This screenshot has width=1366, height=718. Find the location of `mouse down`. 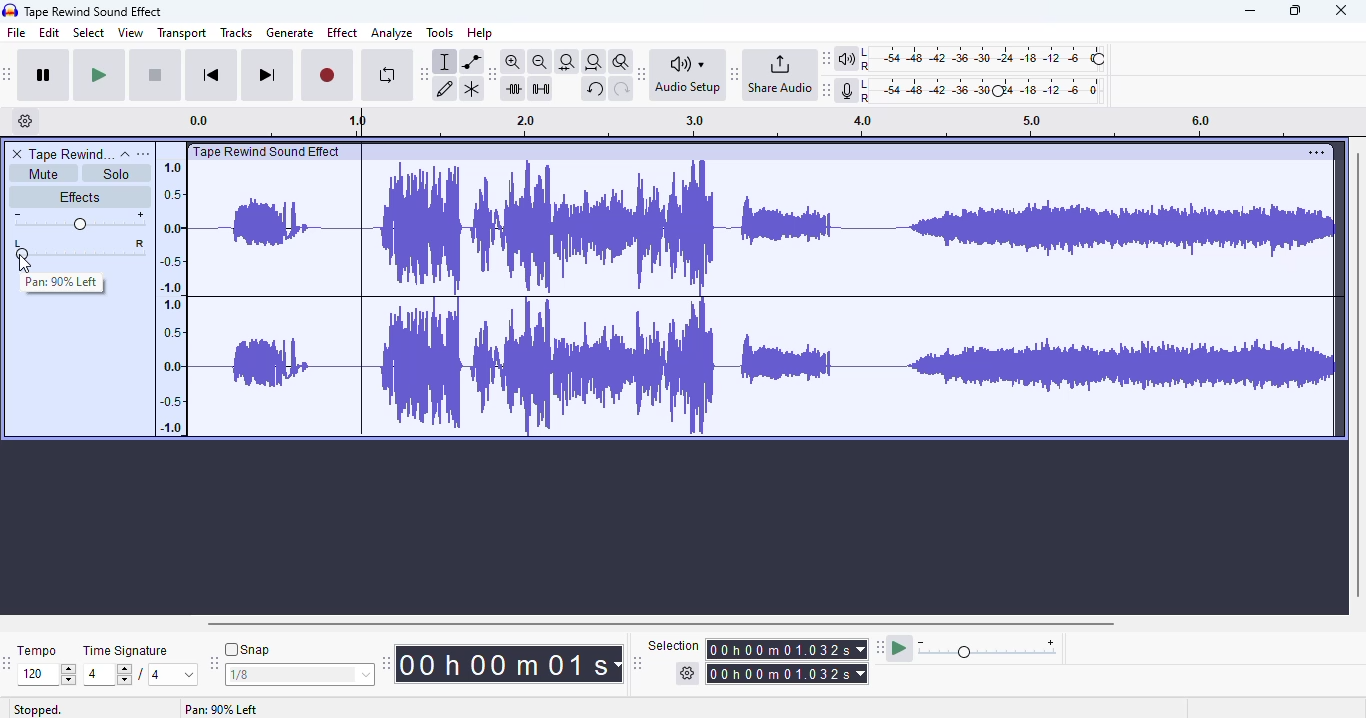

mouse down is located at coordinates (24, 264).